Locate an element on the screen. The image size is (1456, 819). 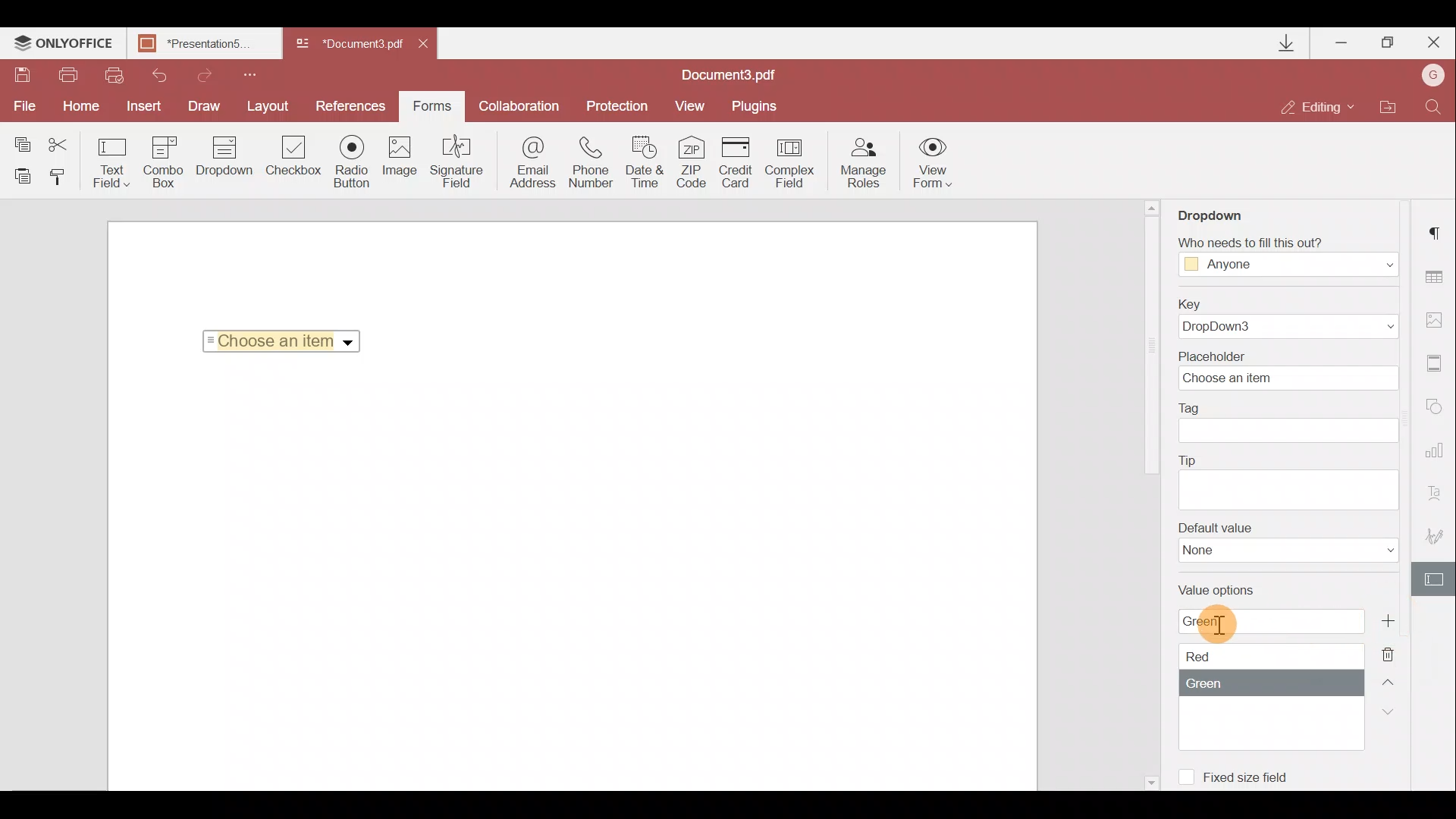
ZIP code is located at coordinates (695, 162).